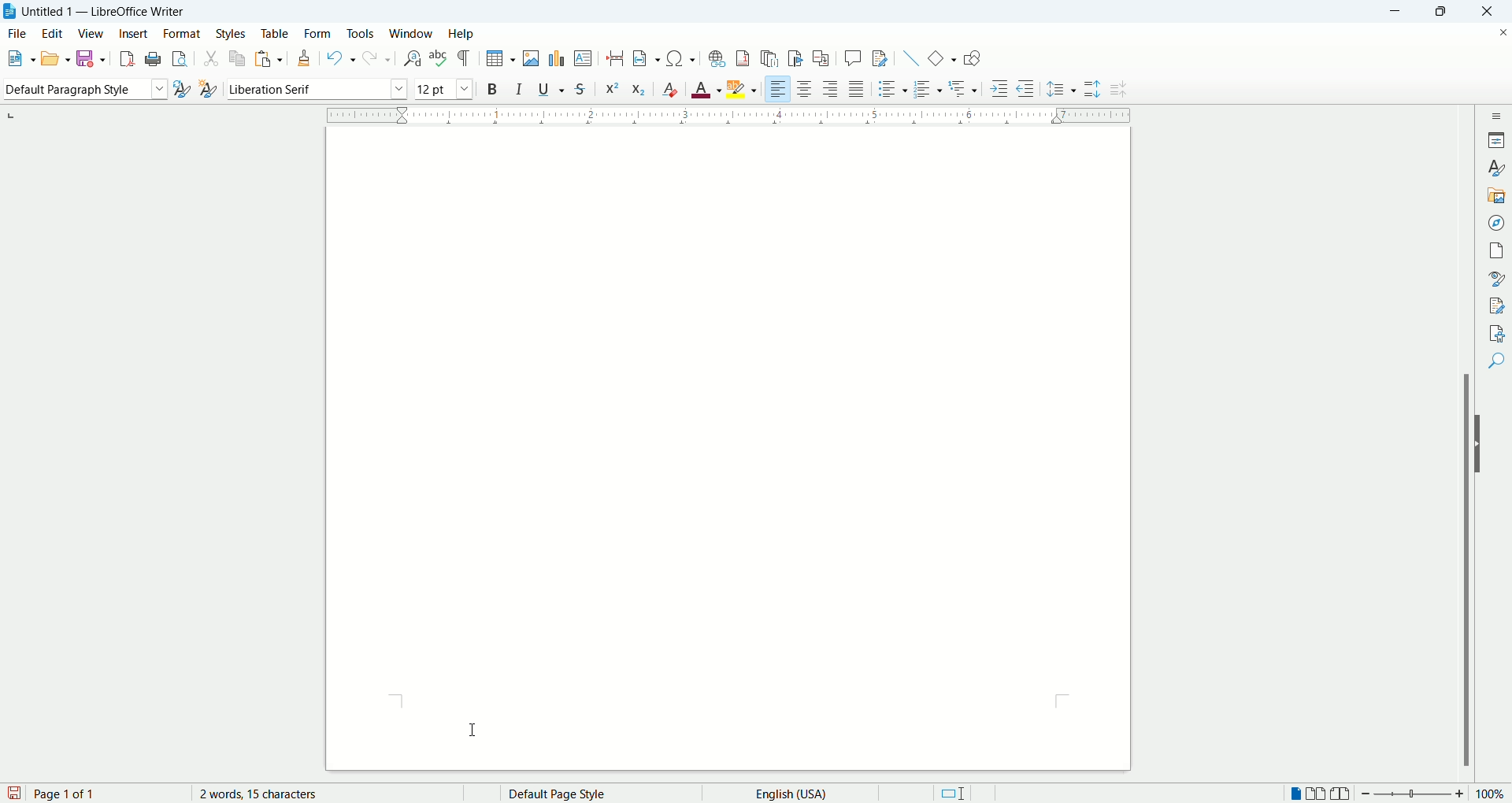 This screenshot has width=1512, height=803. I want to click on single page view, so click(1297, 795).